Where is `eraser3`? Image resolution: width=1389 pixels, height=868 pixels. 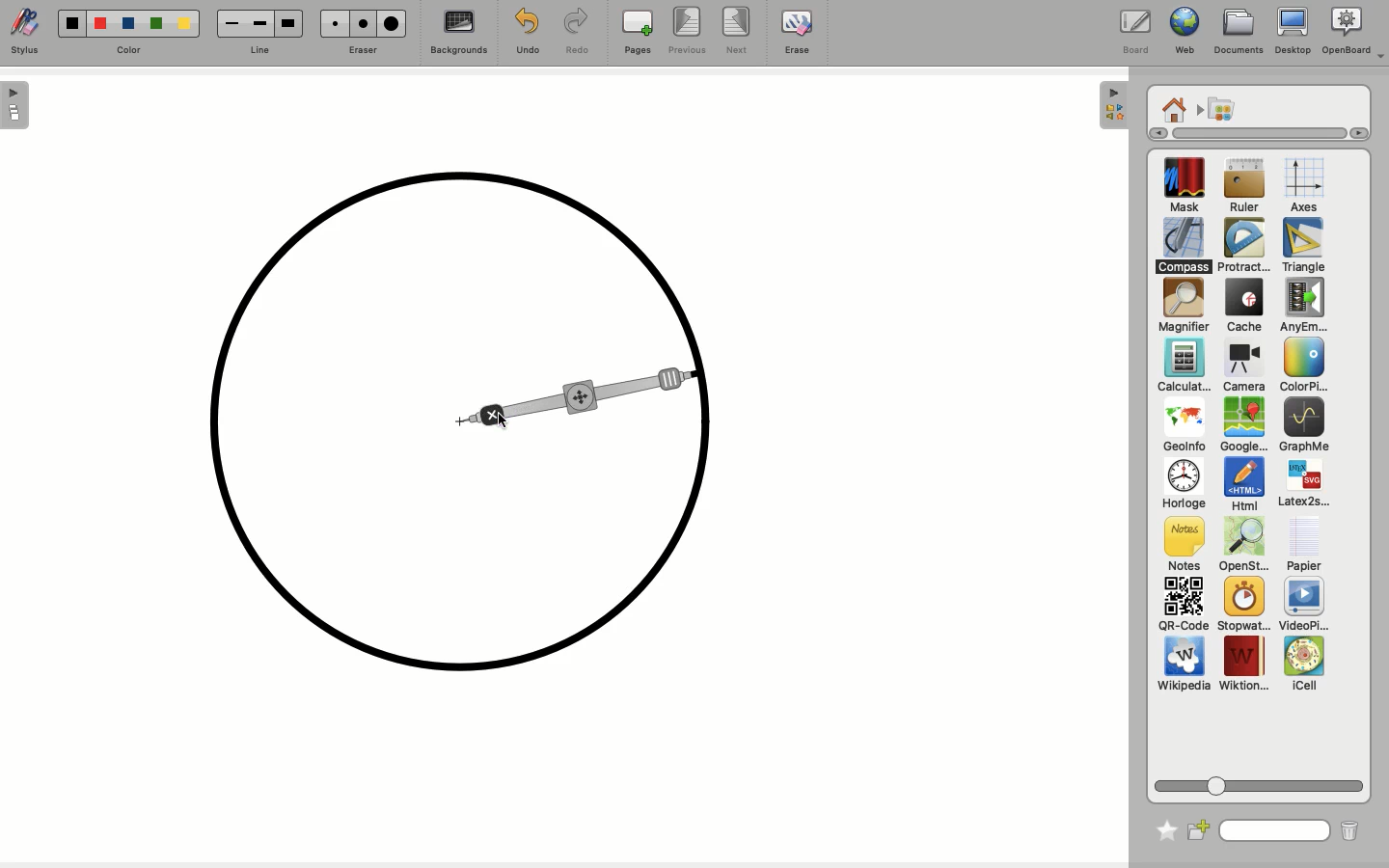 eraser3 is located at coordinates (393, 24).